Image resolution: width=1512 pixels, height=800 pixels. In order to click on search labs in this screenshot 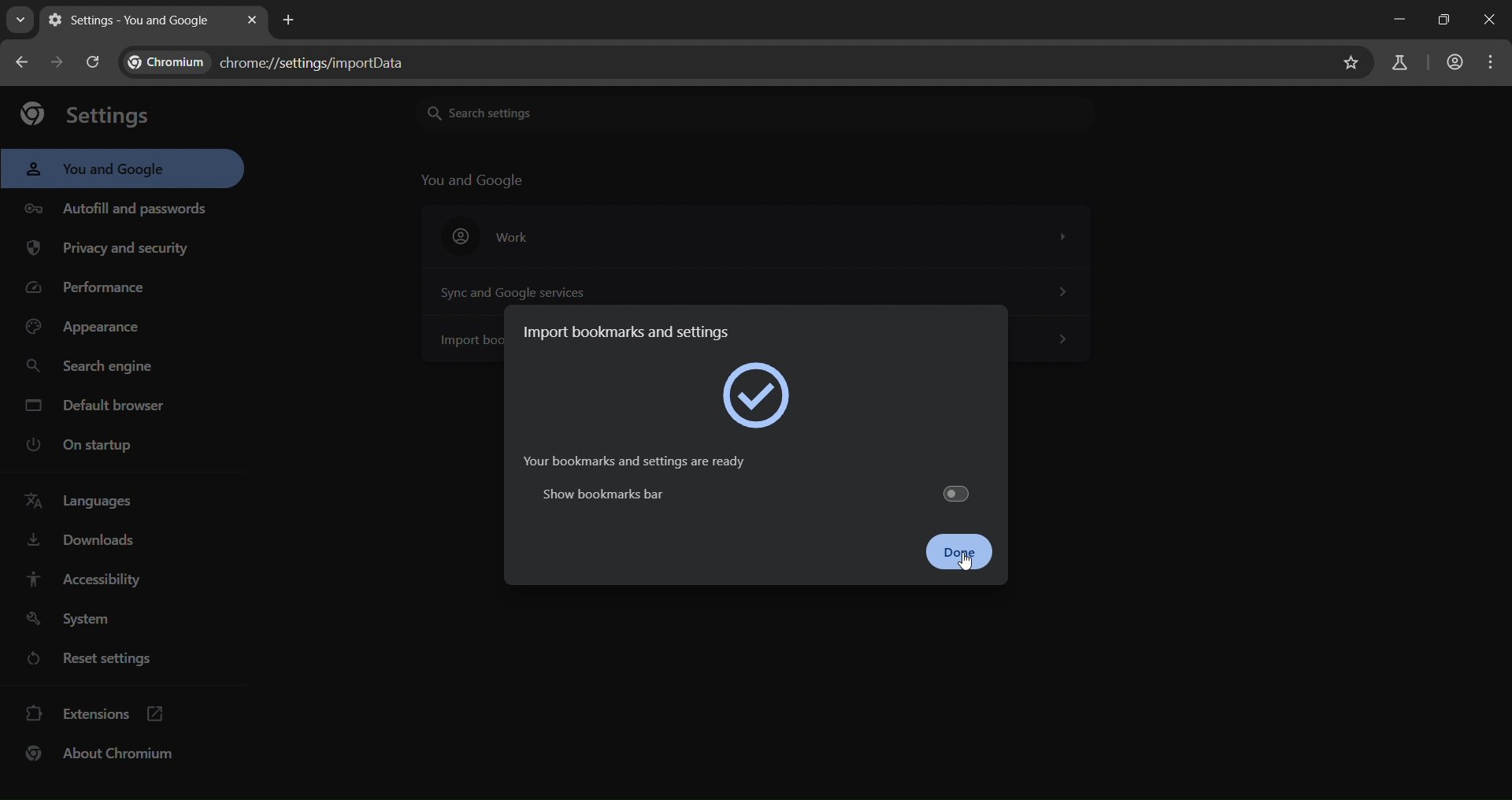, I will do `click(1394, 64)`.